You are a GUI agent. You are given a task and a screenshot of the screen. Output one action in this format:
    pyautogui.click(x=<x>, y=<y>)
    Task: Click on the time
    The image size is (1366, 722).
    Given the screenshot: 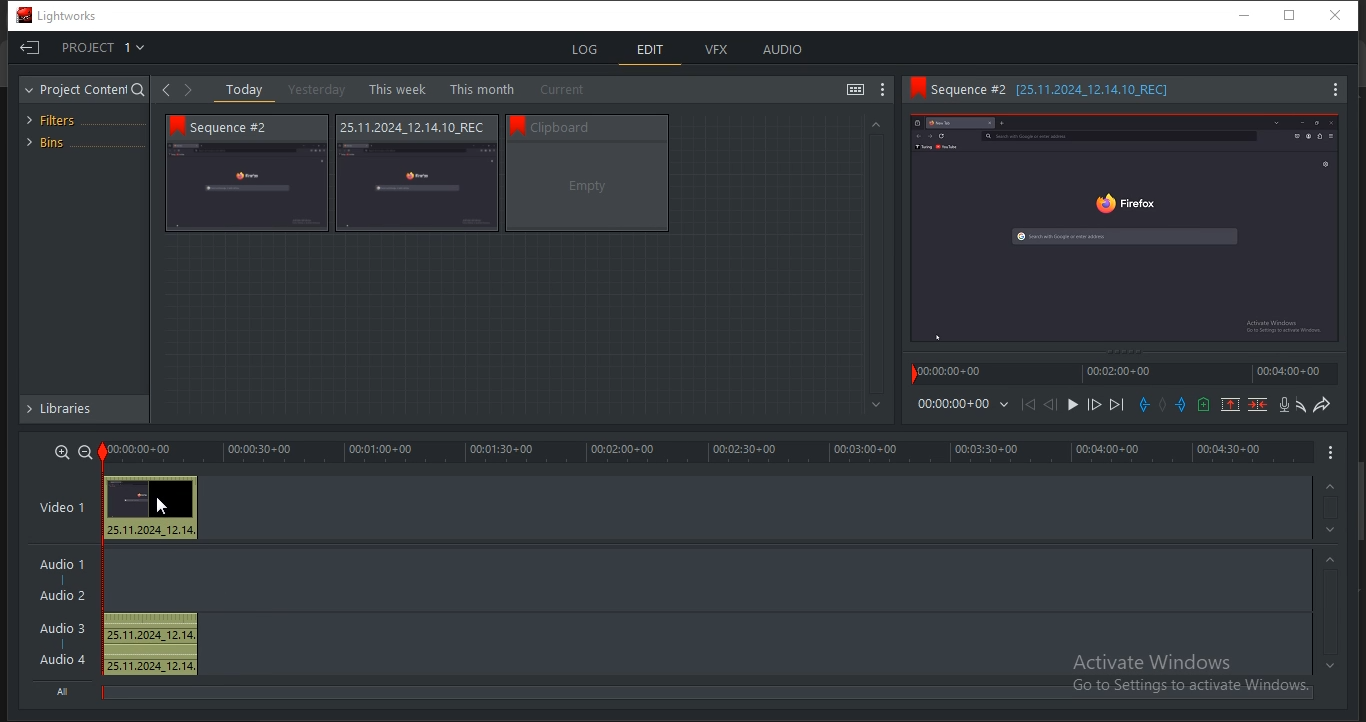 What is the action you would take?
    pyautogui.click(x=952, y=404)
    